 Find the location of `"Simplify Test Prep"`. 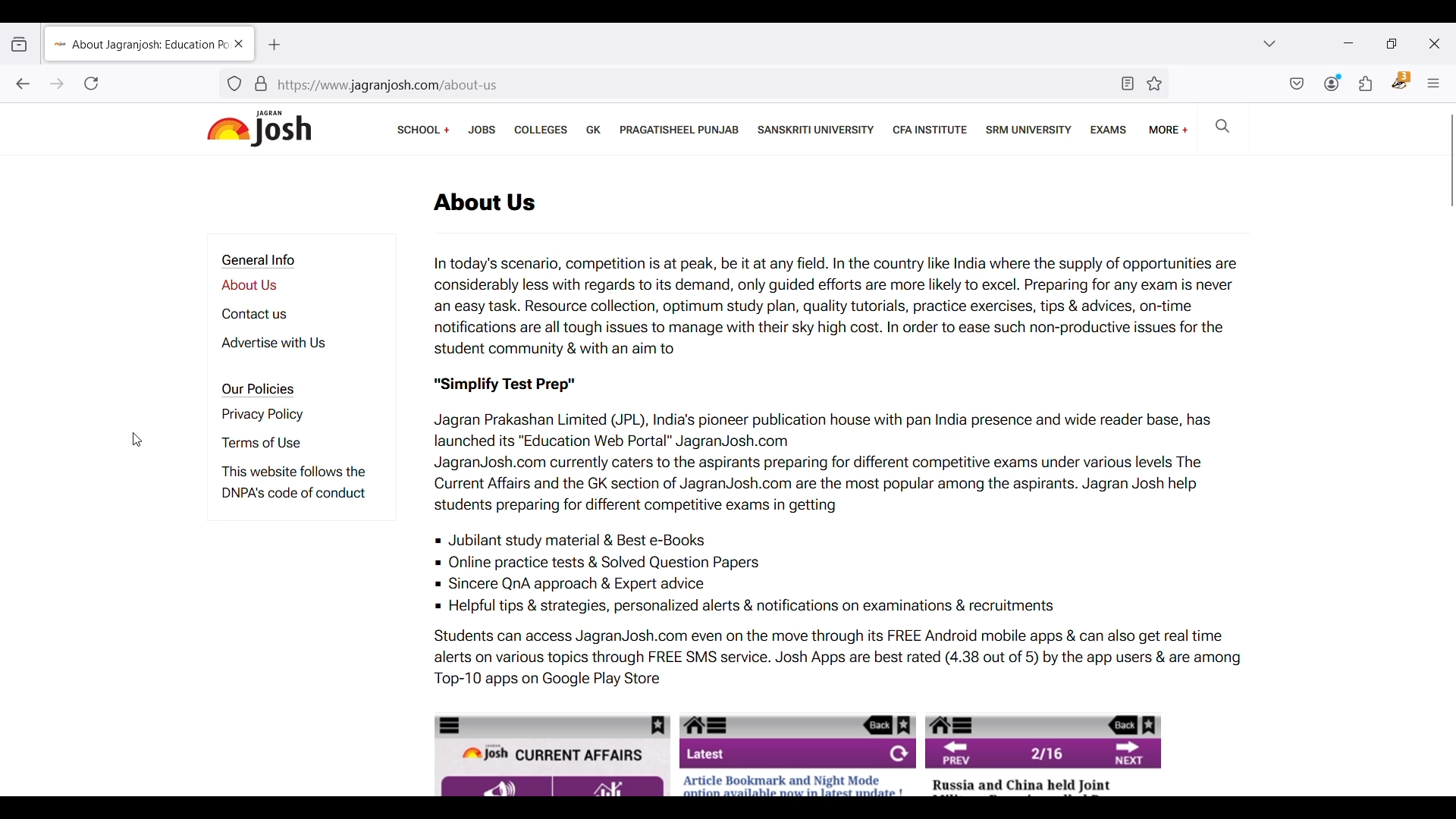

"Simplify Test Prep" is located at coordinates (517, 382).